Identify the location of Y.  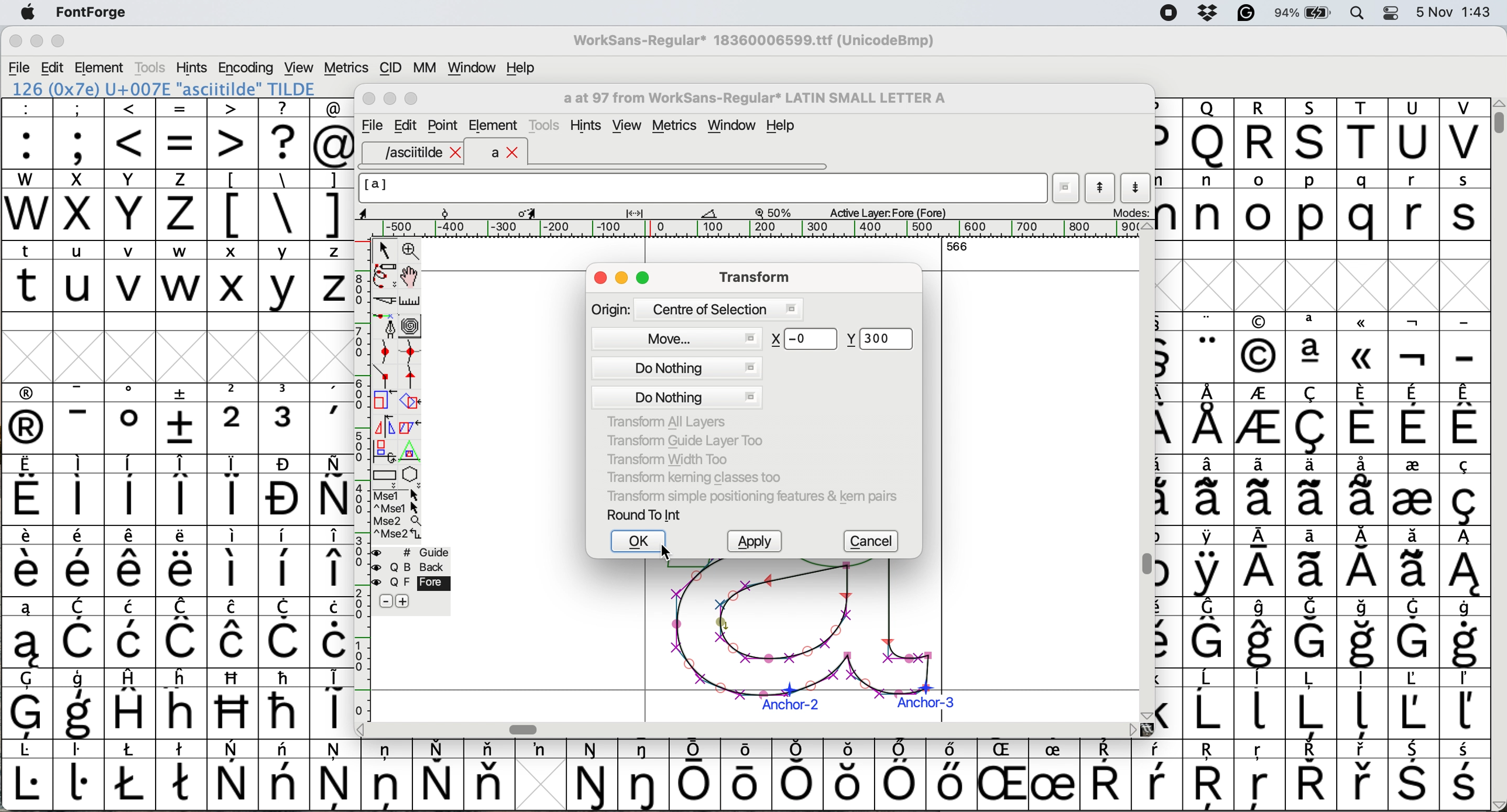
(132, 205).